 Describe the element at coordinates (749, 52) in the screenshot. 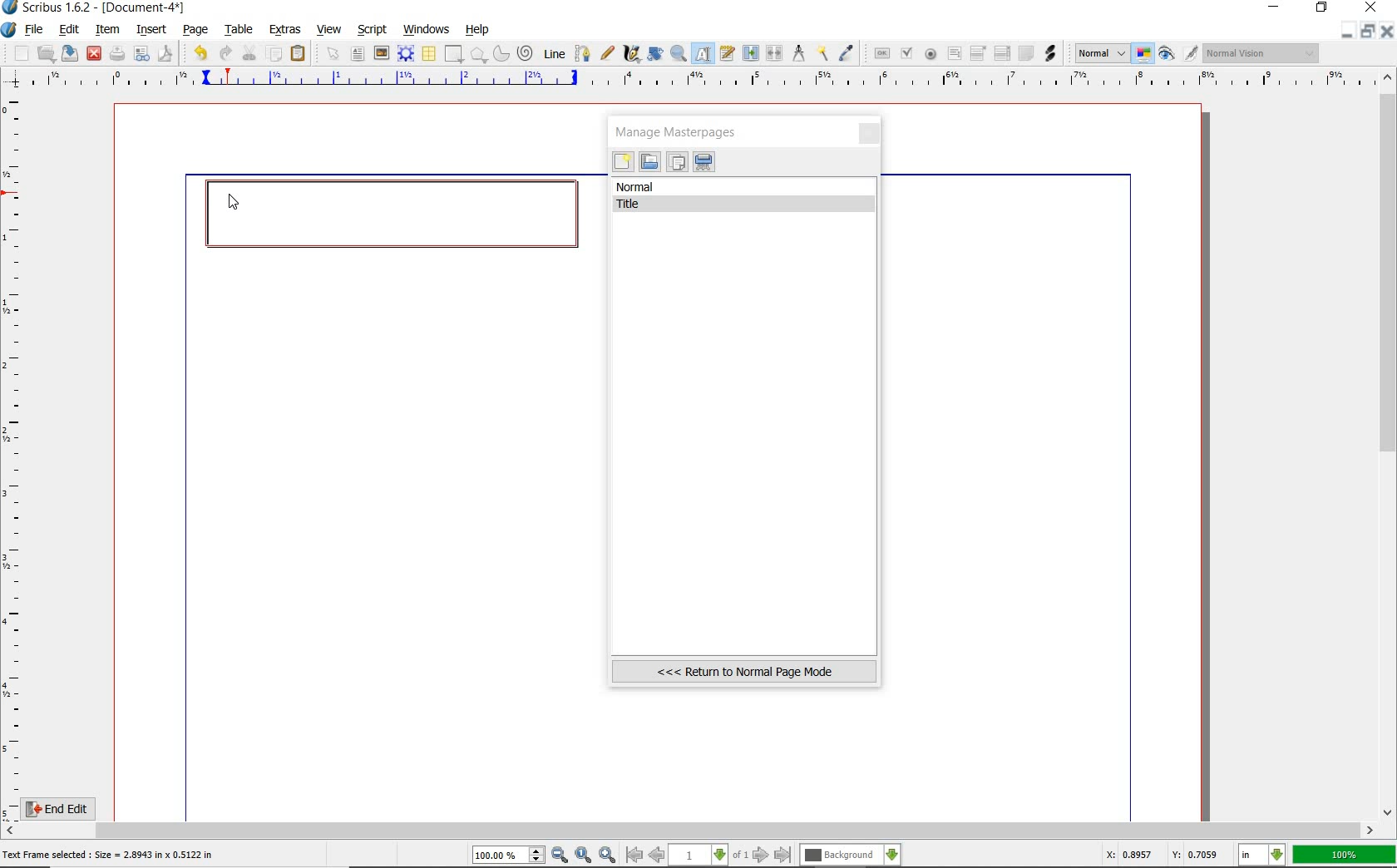

I see `link text frames` at that location.